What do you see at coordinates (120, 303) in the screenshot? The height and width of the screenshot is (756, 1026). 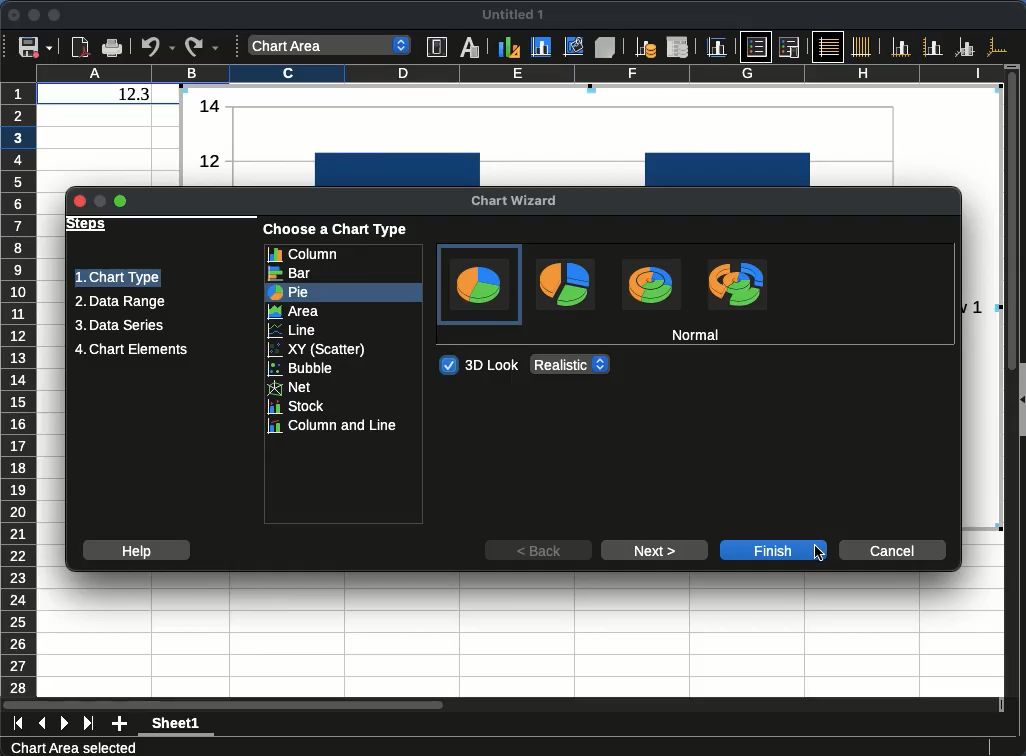 I see `data range` at bounding box center [120, 303].